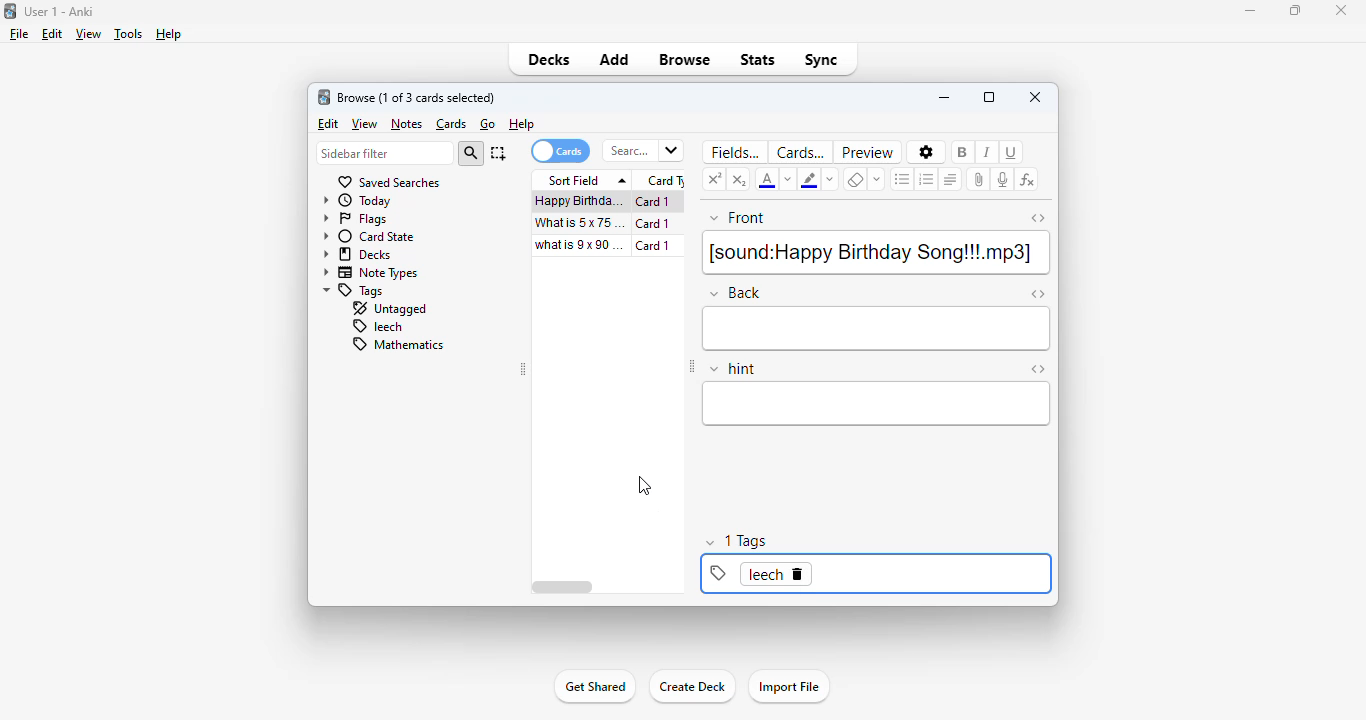 This screenshot has width=1366, height=720. Describe the element at coordinates (745, 539) in the screenshot. I see `1 tags` at that location.